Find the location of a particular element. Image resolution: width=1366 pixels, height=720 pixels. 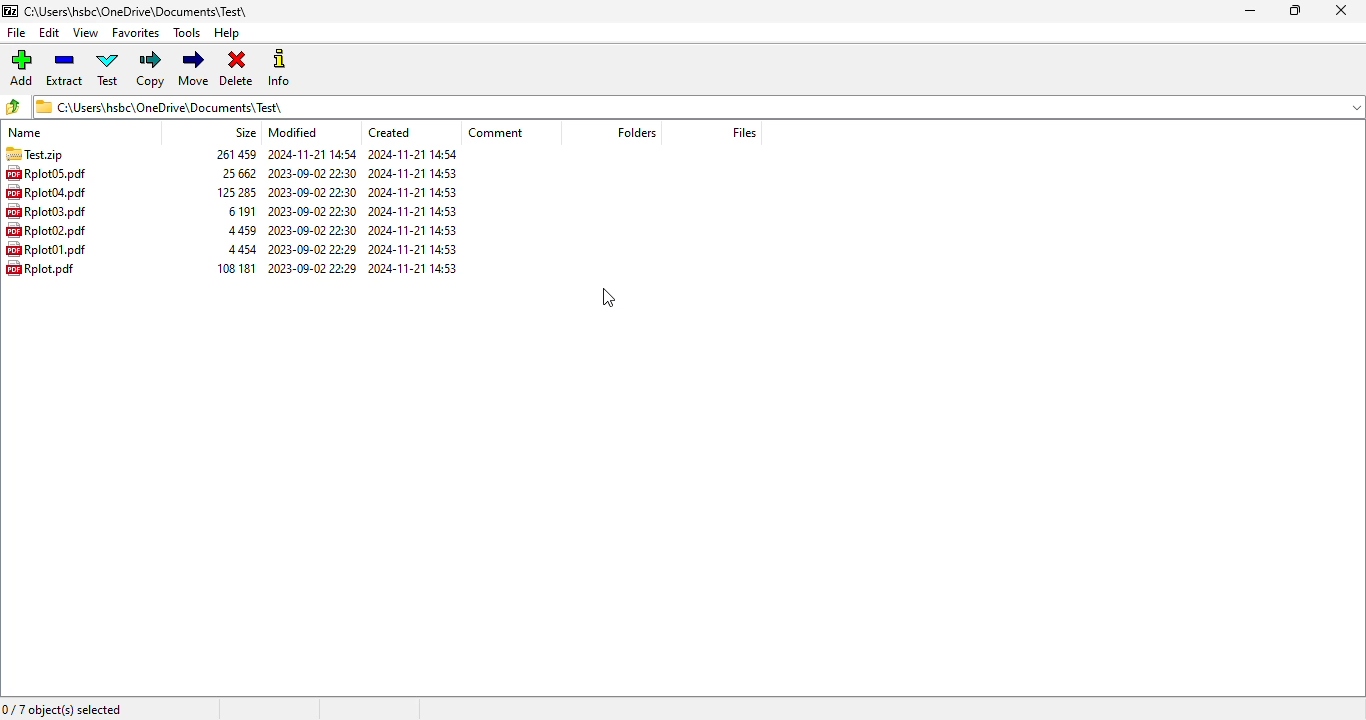

comment is located at coordinates (496, 132).